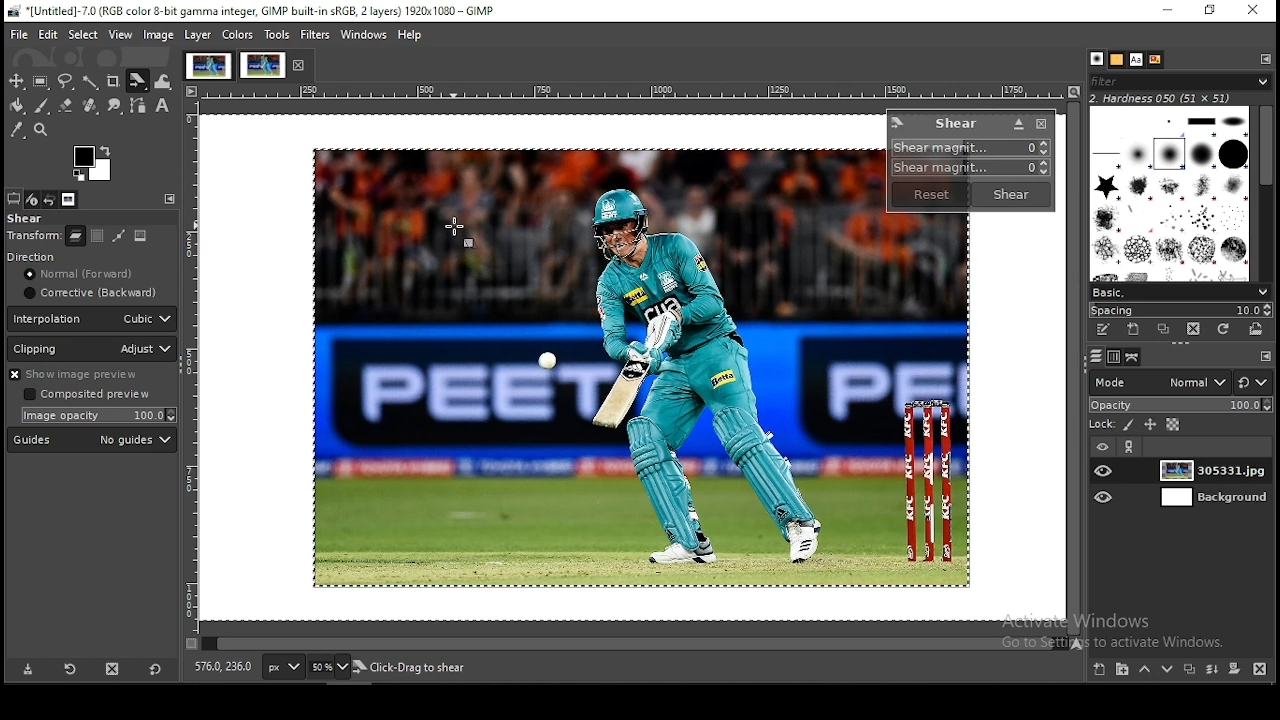  What do you see at coordinates (262, 11) in the screenshot?
I see `*[Untitled]-7.0 (RGB color 8-bit gamma integer, GIMP built-in sRGB, 2 layers) 1920x1080 - GIMP` at bounding box center [262, 11].